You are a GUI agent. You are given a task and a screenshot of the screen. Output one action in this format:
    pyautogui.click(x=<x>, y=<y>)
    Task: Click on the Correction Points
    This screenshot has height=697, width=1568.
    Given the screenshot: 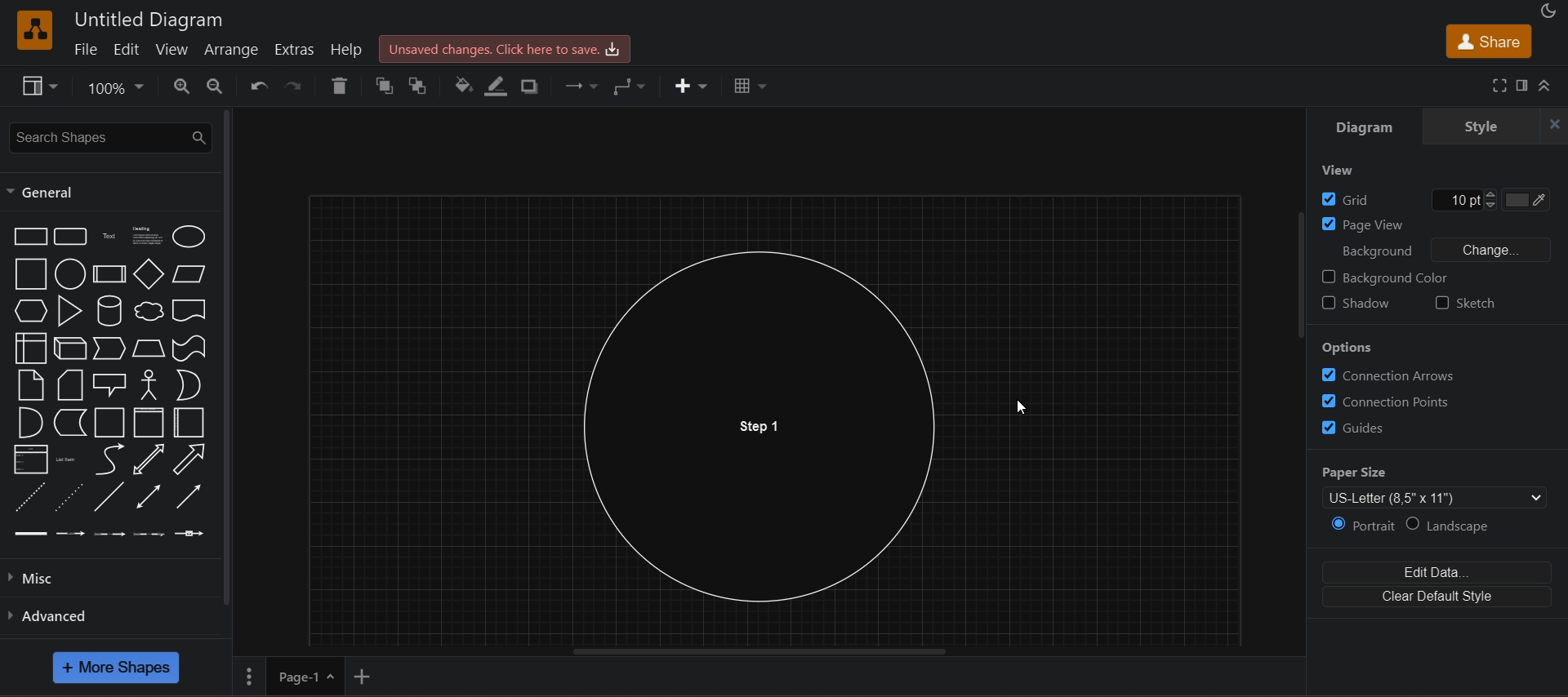 What is the action you would take?
    pyautogui.click(x=1384, y=402)
    